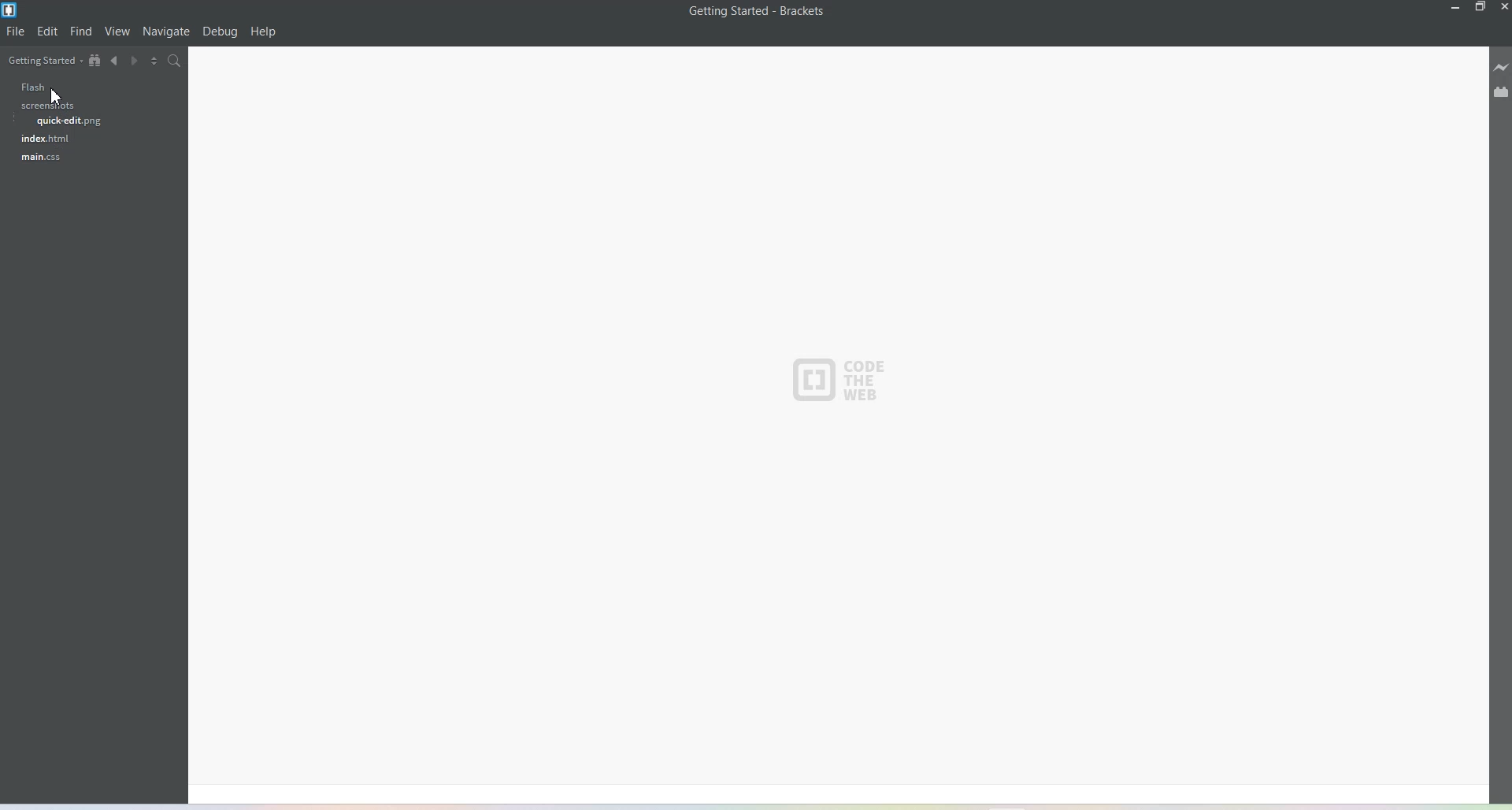  I want to click on Split the editor vertically or Horizontally, so click(158, 62).